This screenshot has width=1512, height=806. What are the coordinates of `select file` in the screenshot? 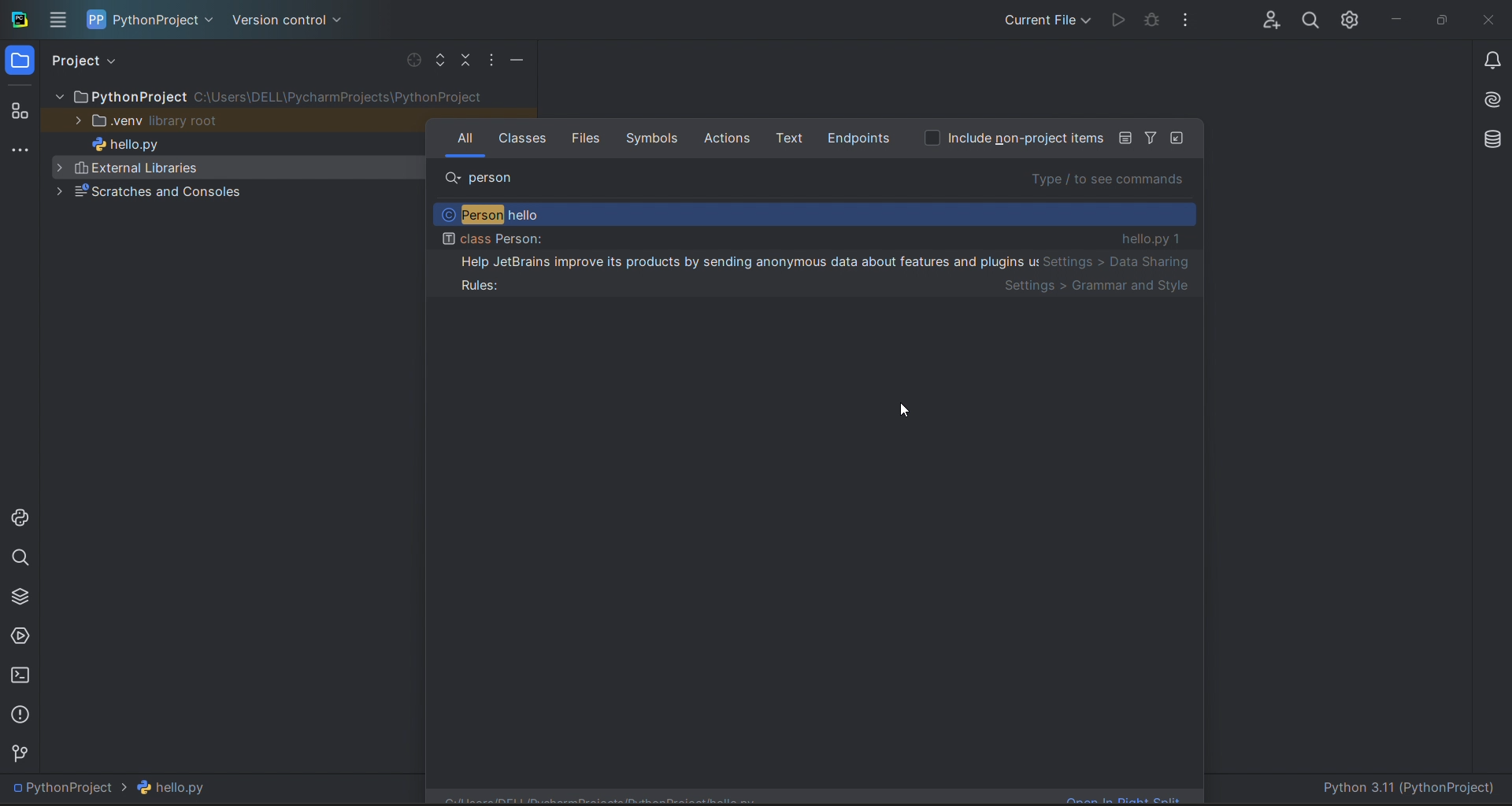 It's located at (414, 59).